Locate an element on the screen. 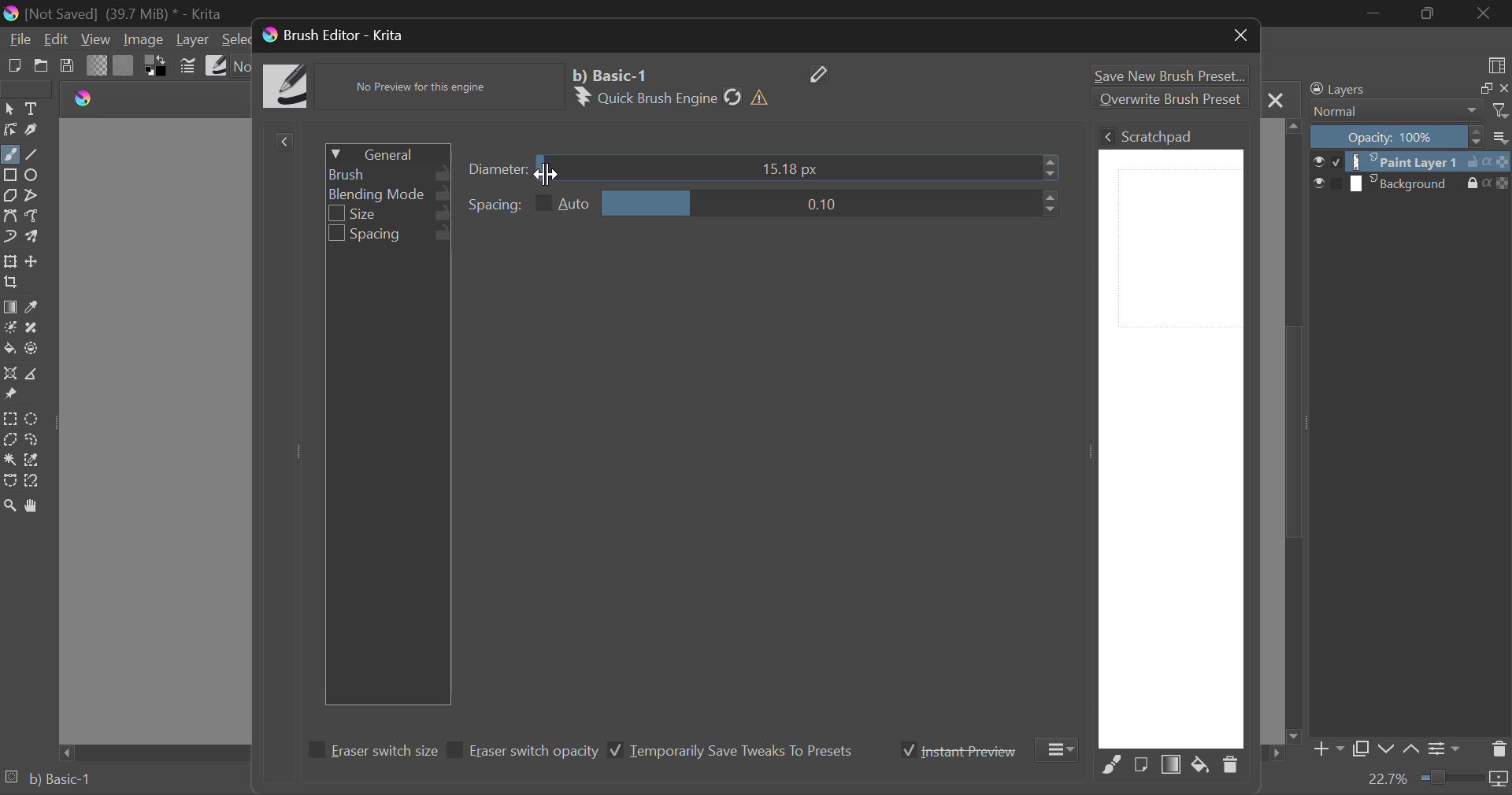  Gradient is located at coordinates (98, 65).